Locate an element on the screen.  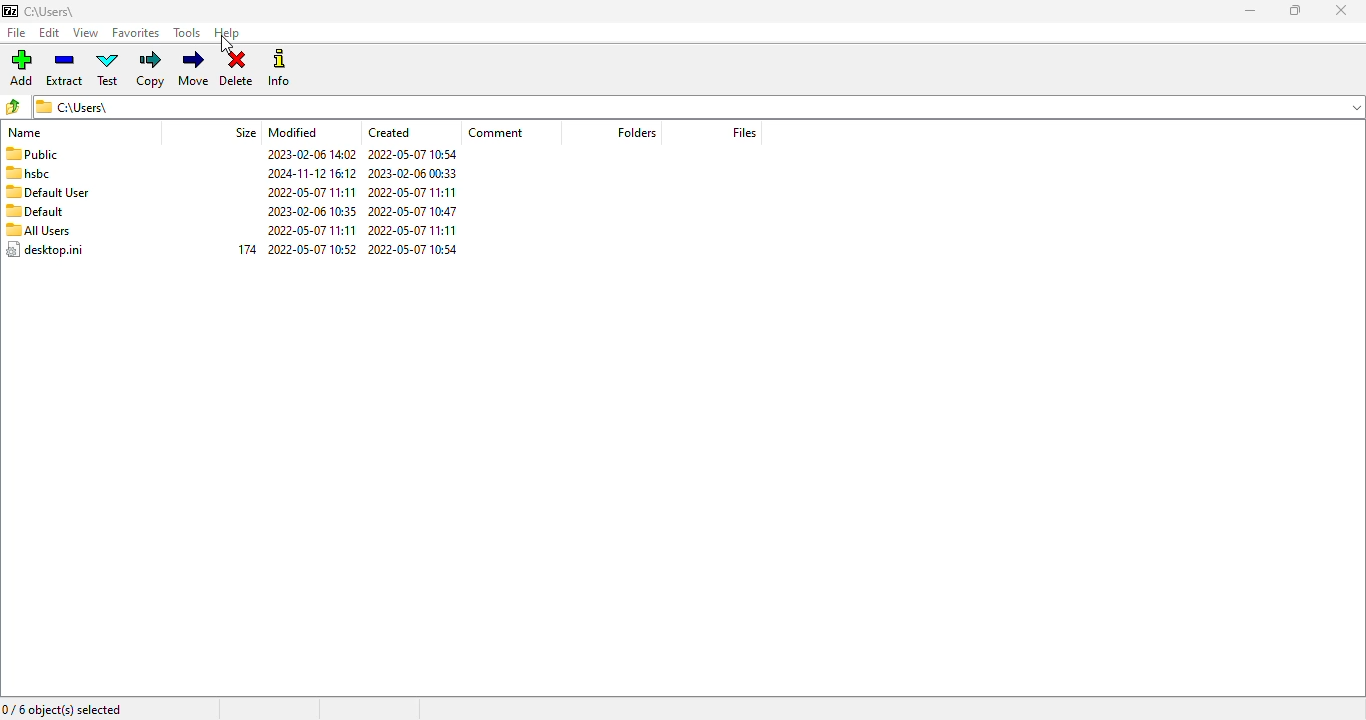
help is located at coordinates (227, 34).